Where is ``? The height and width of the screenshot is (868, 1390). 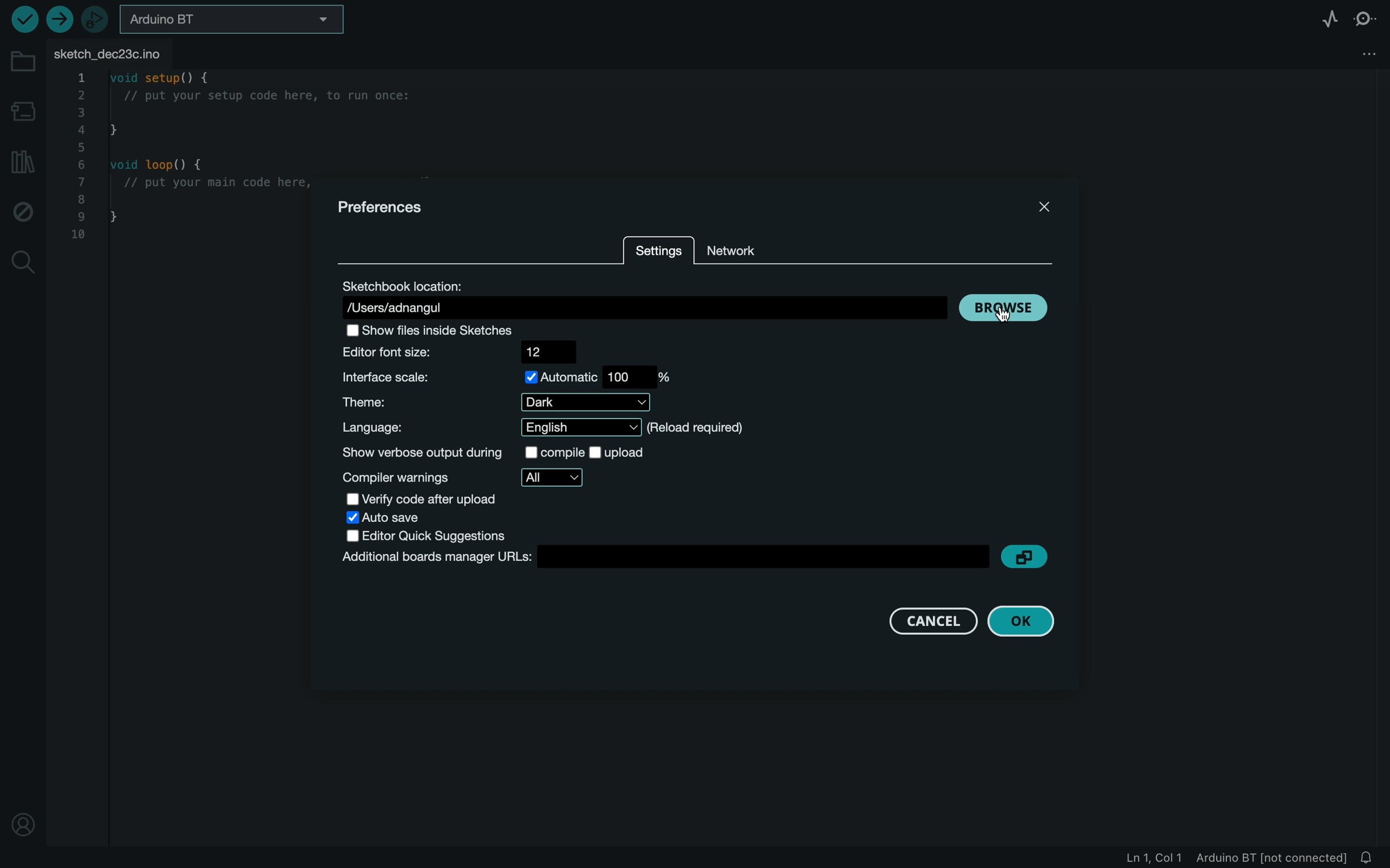
 is located at coordinates (431, 332).